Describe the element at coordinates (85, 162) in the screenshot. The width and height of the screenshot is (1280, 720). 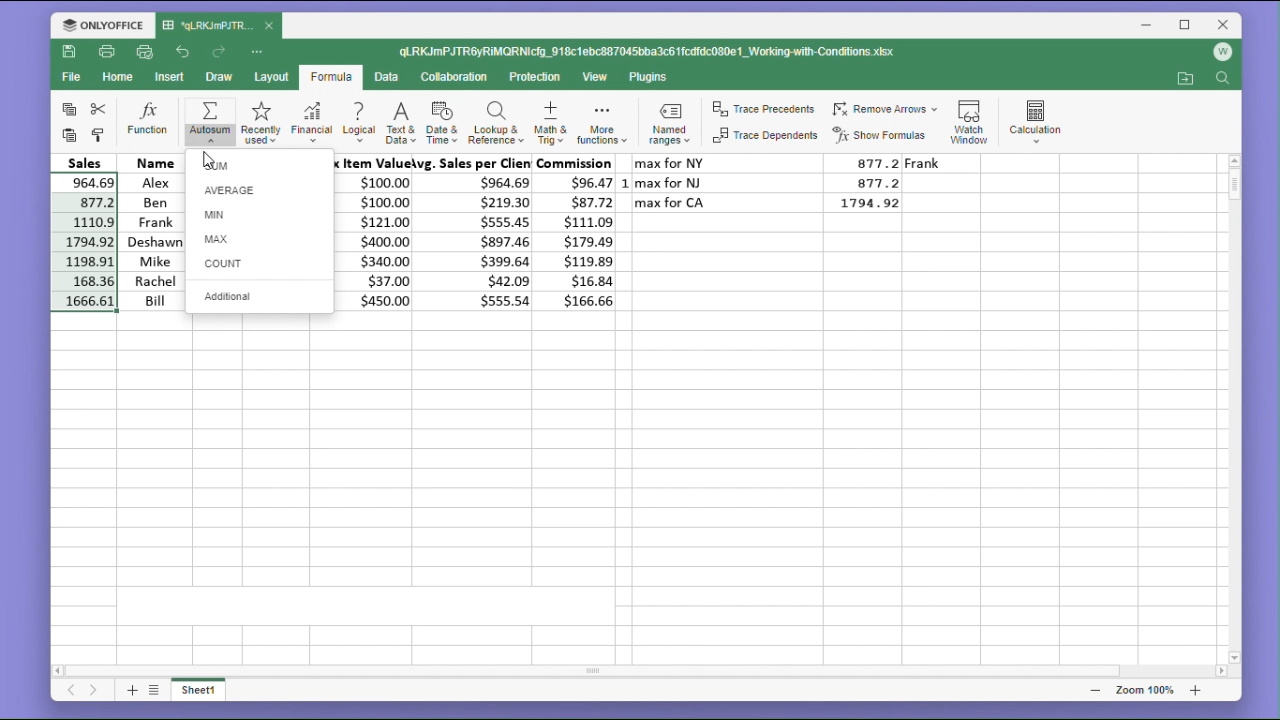
I see `Sales` at that location.